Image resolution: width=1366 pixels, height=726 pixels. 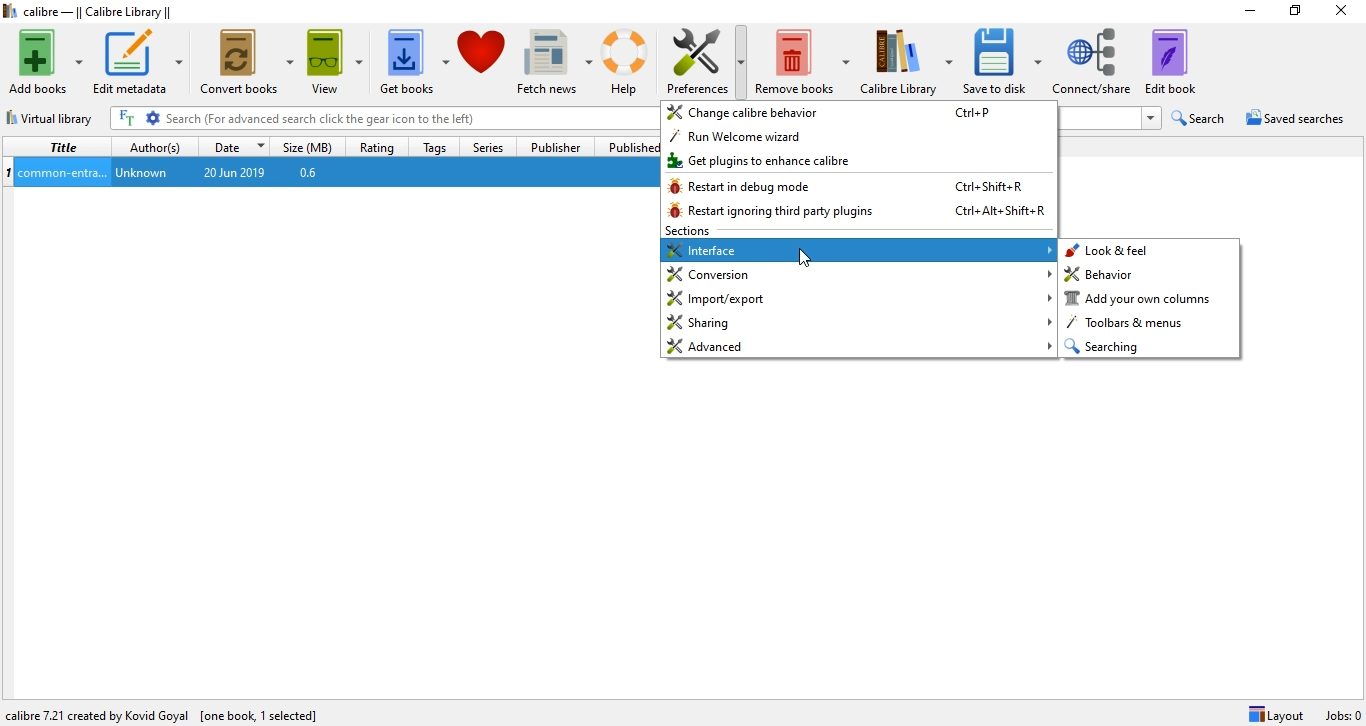 I want to click on advanced, so click(x=860, y=346).